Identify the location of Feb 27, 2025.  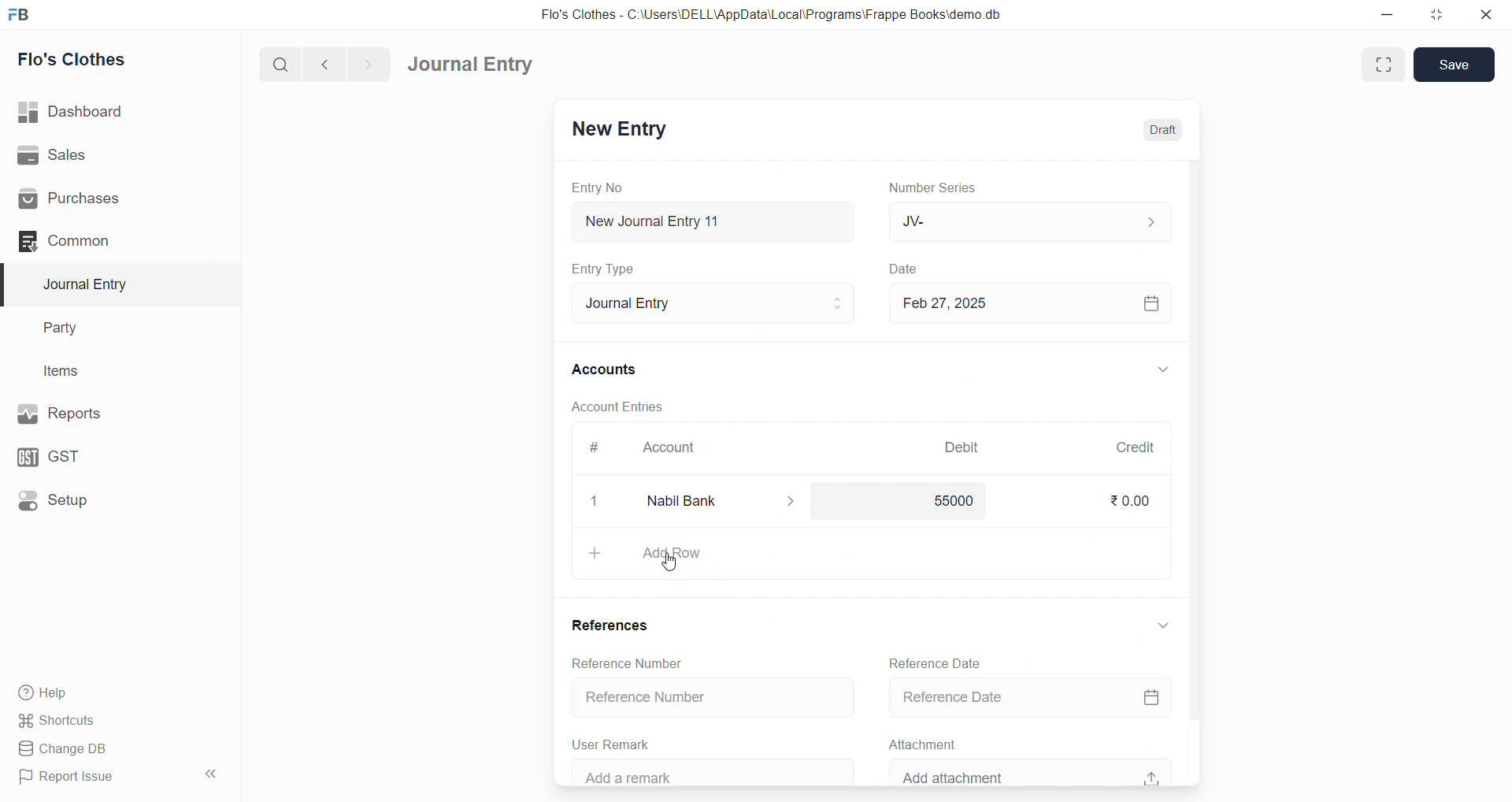
(1028, 303).